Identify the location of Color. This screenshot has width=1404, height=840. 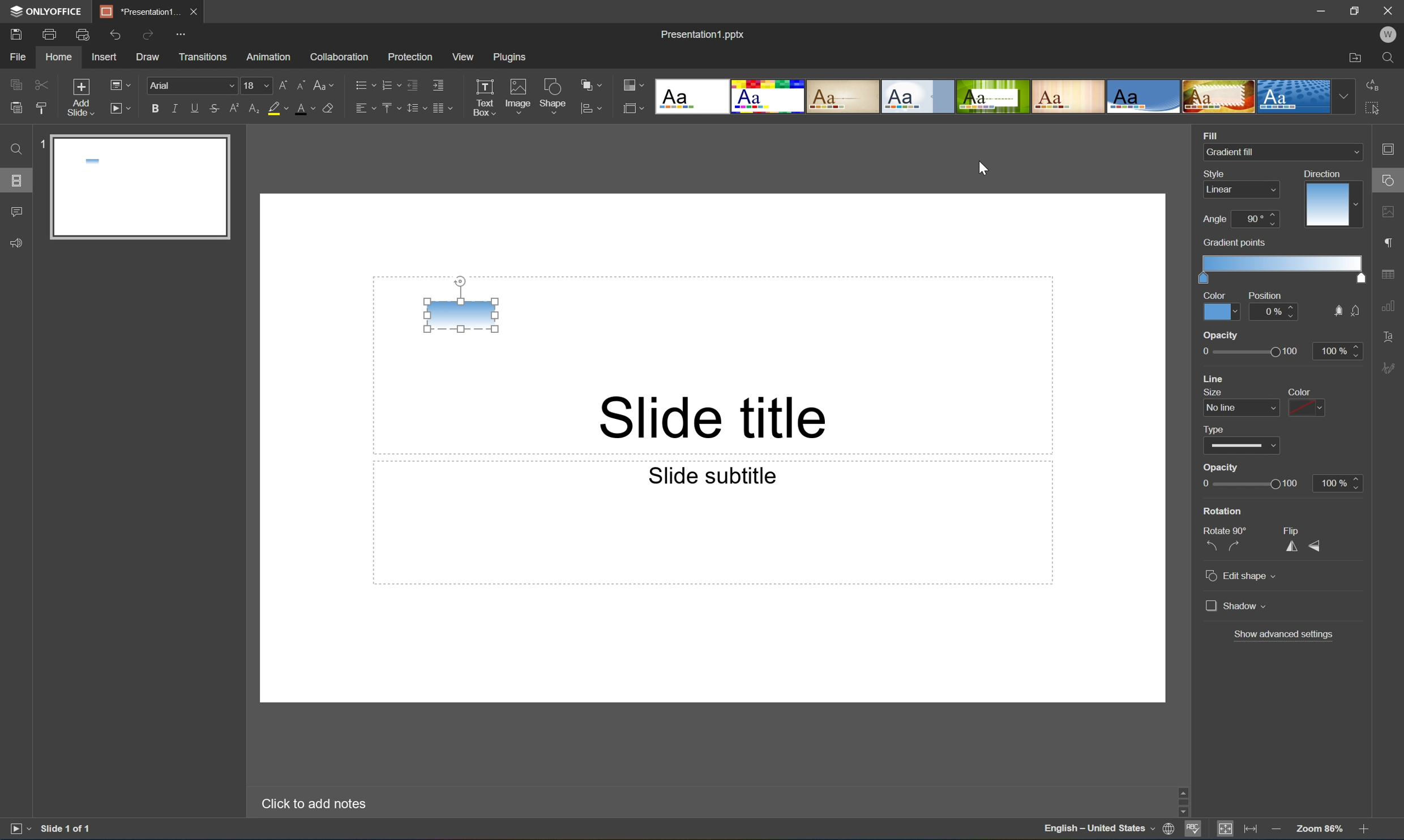
(1221, 311).